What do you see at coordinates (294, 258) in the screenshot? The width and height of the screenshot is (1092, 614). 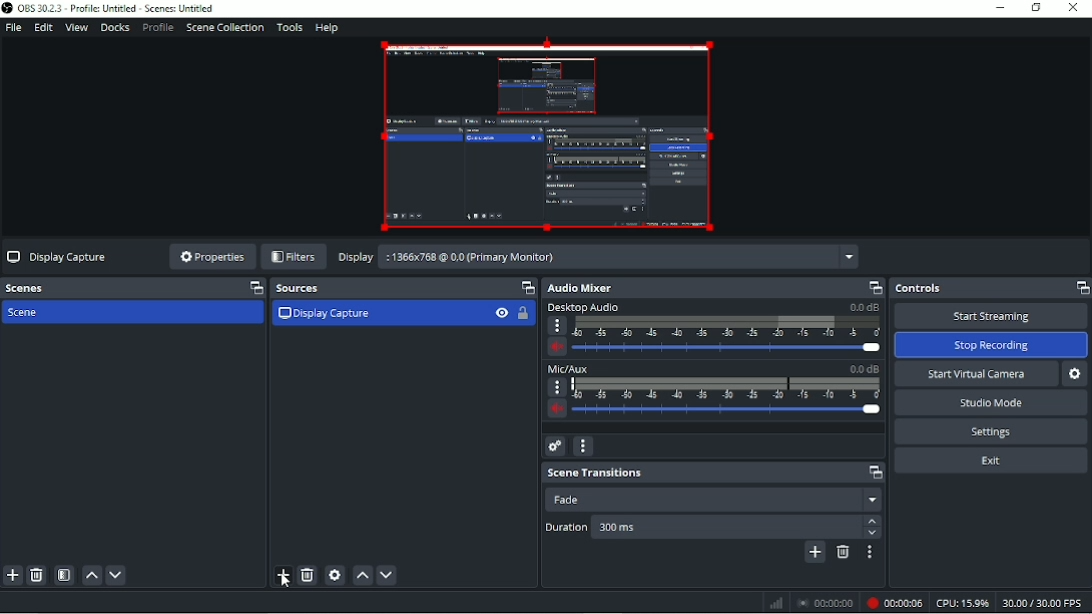 I see `Filters` at bounding box center [294, 258].